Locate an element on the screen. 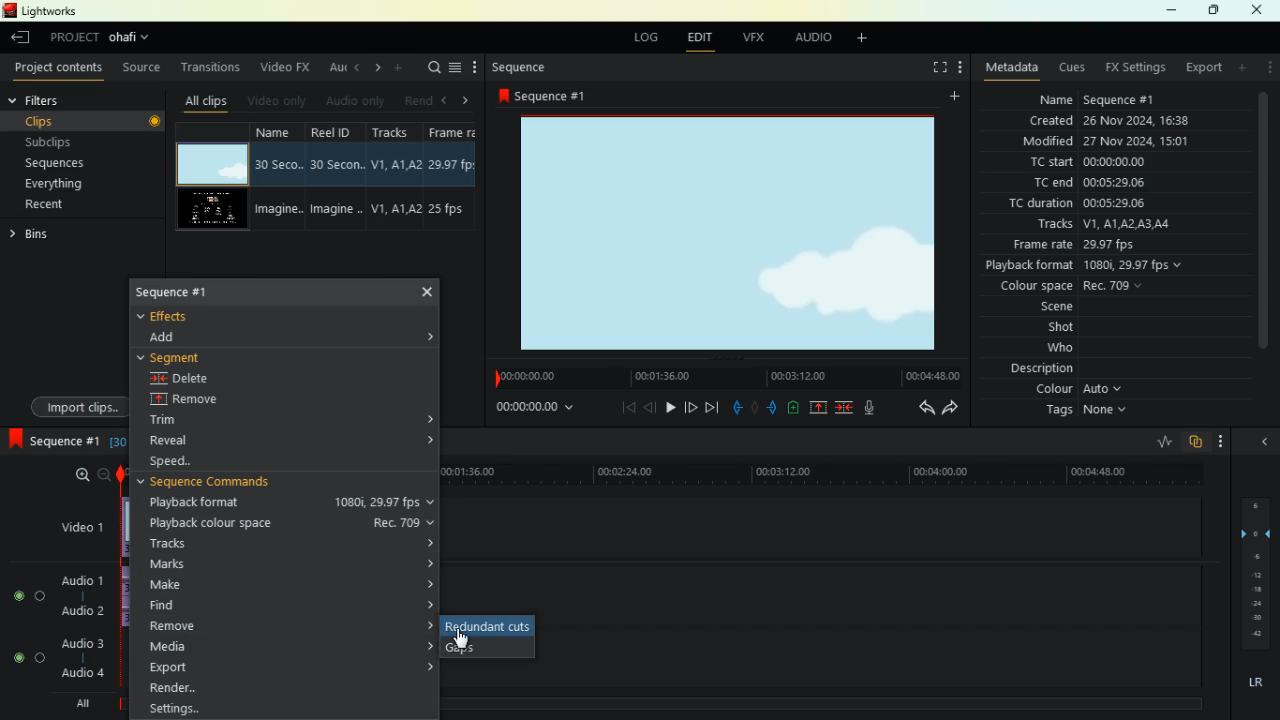 This screenshot has height=720, width=1280. back is located at coordinates (918, 408).